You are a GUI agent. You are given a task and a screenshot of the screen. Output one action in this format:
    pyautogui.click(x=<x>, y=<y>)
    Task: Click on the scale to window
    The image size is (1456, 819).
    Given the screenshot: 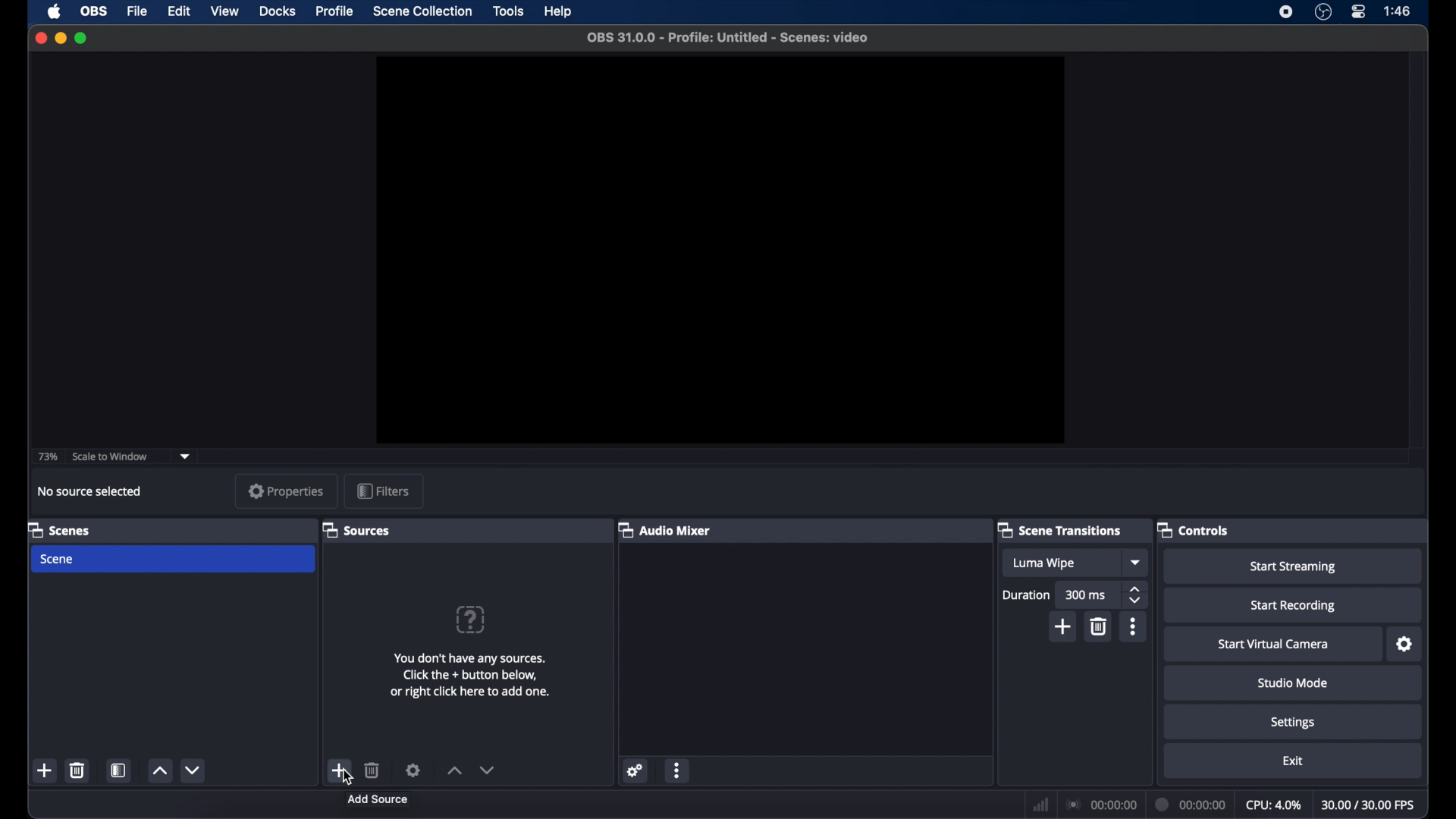 What is the action you would take?
    pyautogui.click(x=110, y=457)
    